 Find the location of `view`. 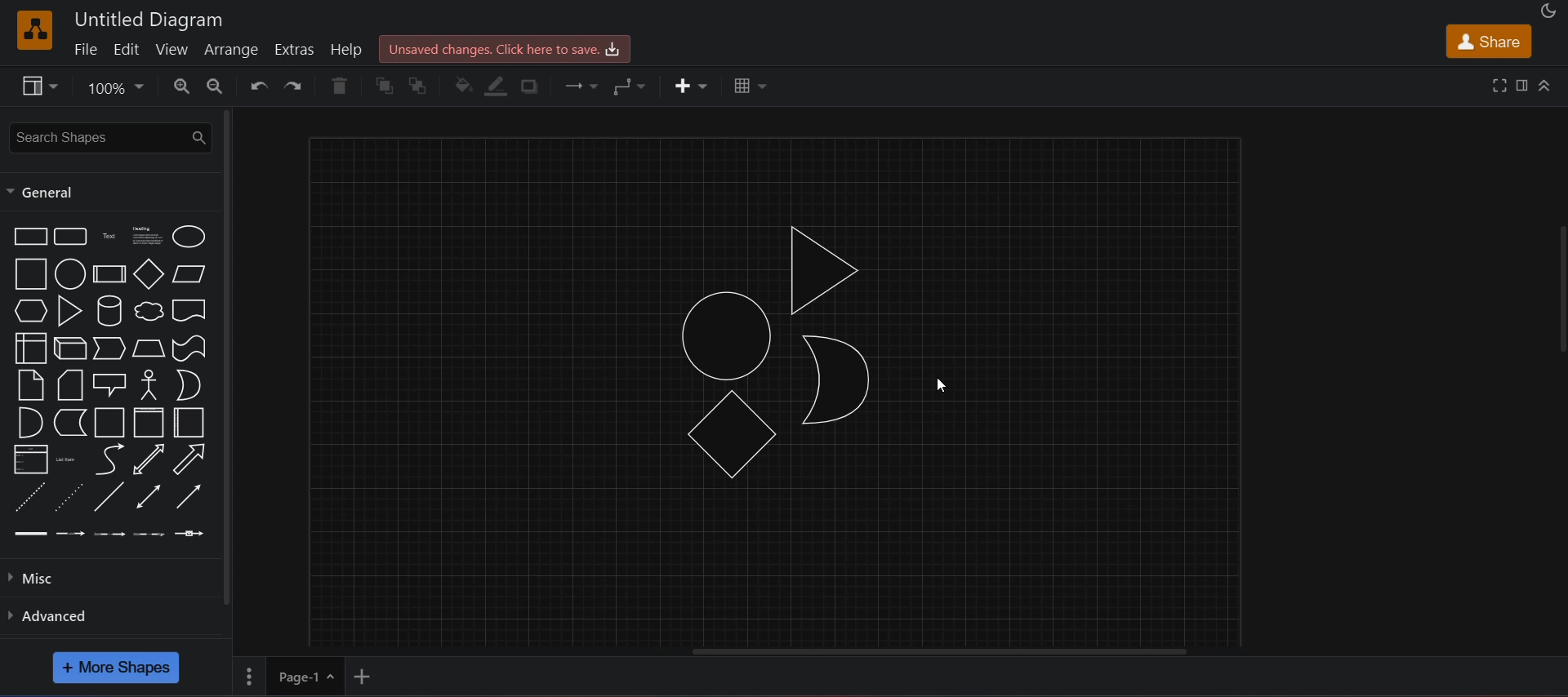

view is located at coordinates (173, 50).